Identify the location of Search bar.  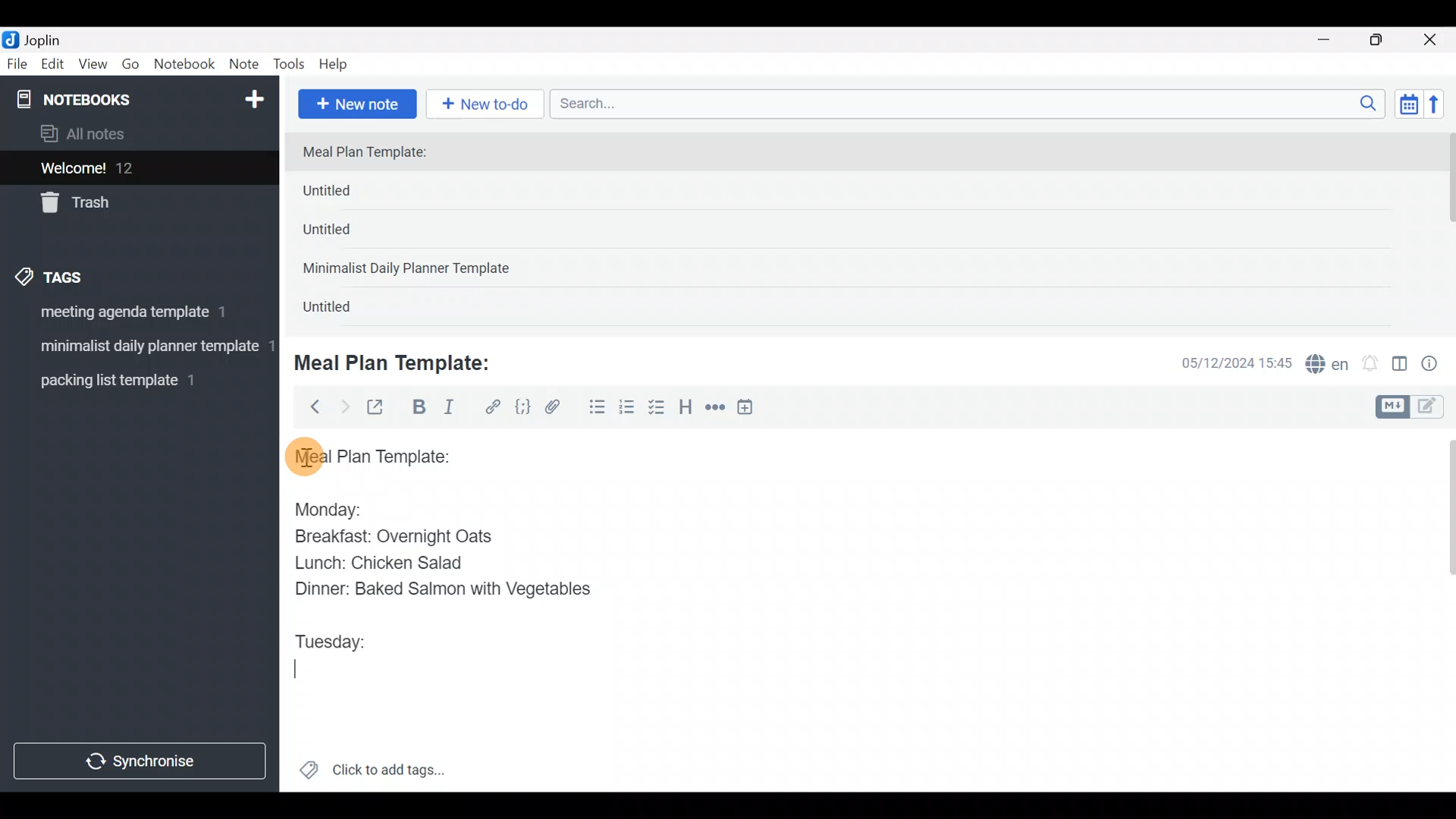
(971, 102).